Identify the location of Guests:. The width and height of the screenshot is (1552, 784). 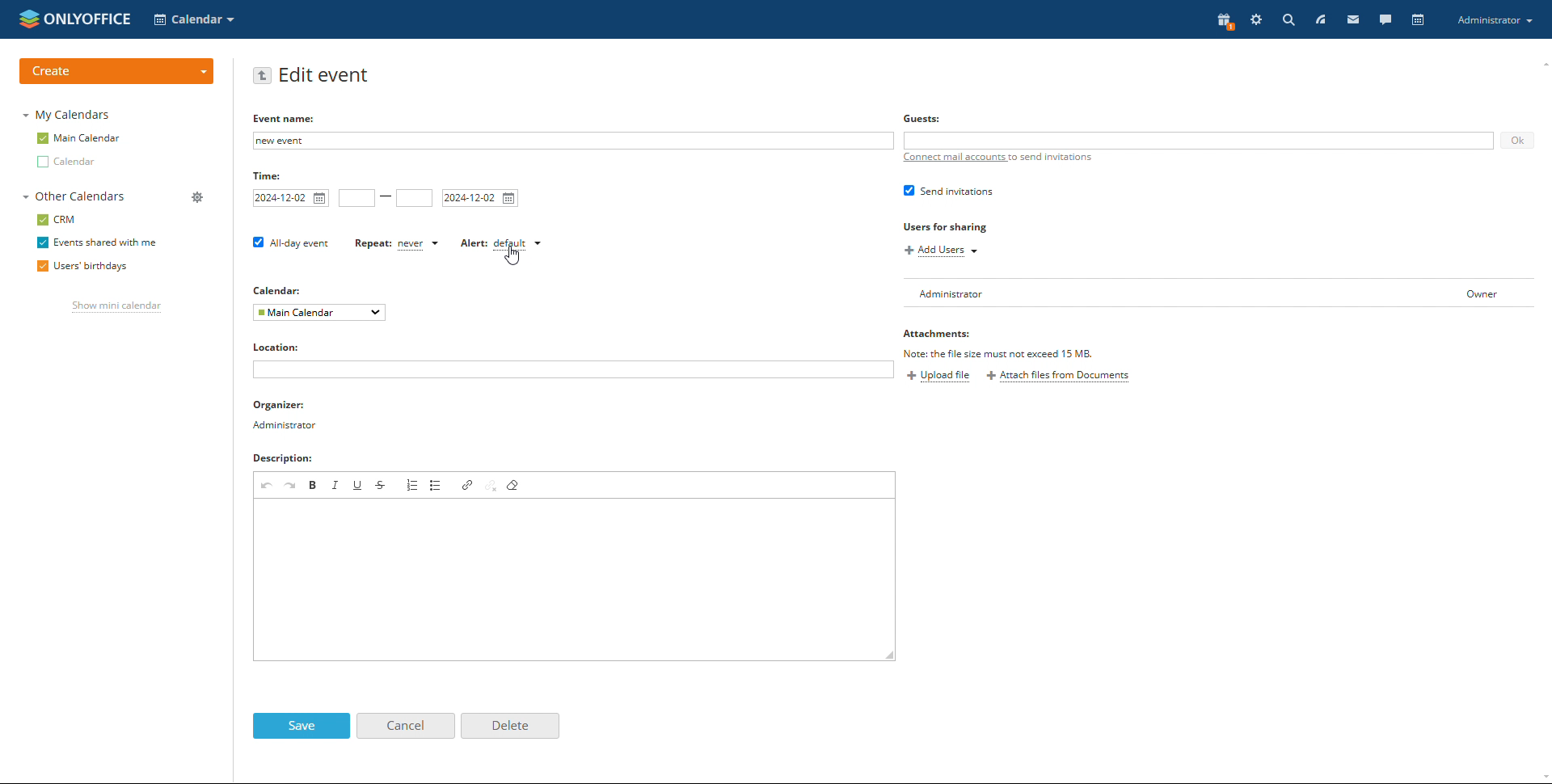
(927, 119).